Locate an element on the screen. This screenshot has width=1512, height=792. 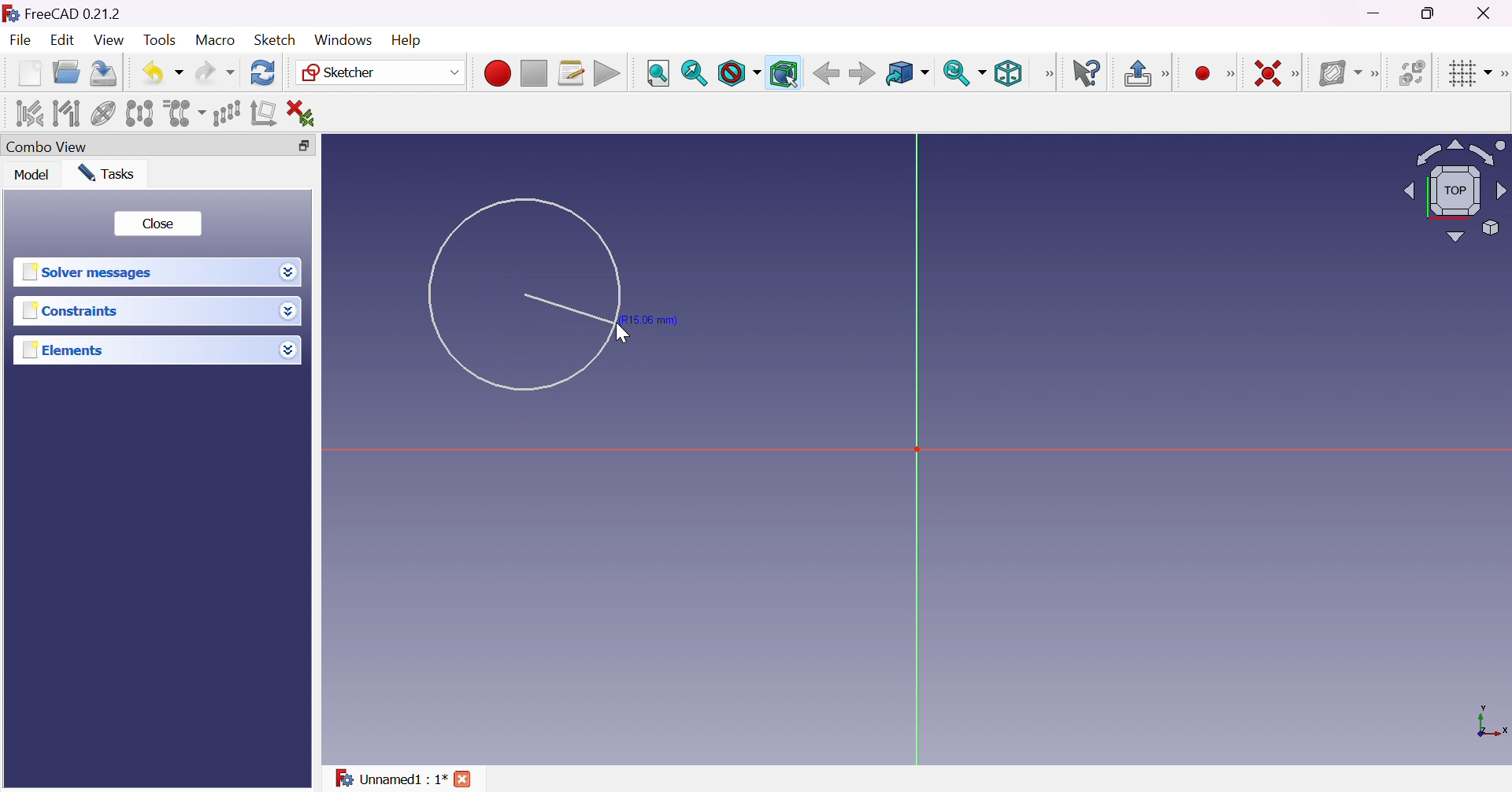
New is located at coordinates (30, 72).